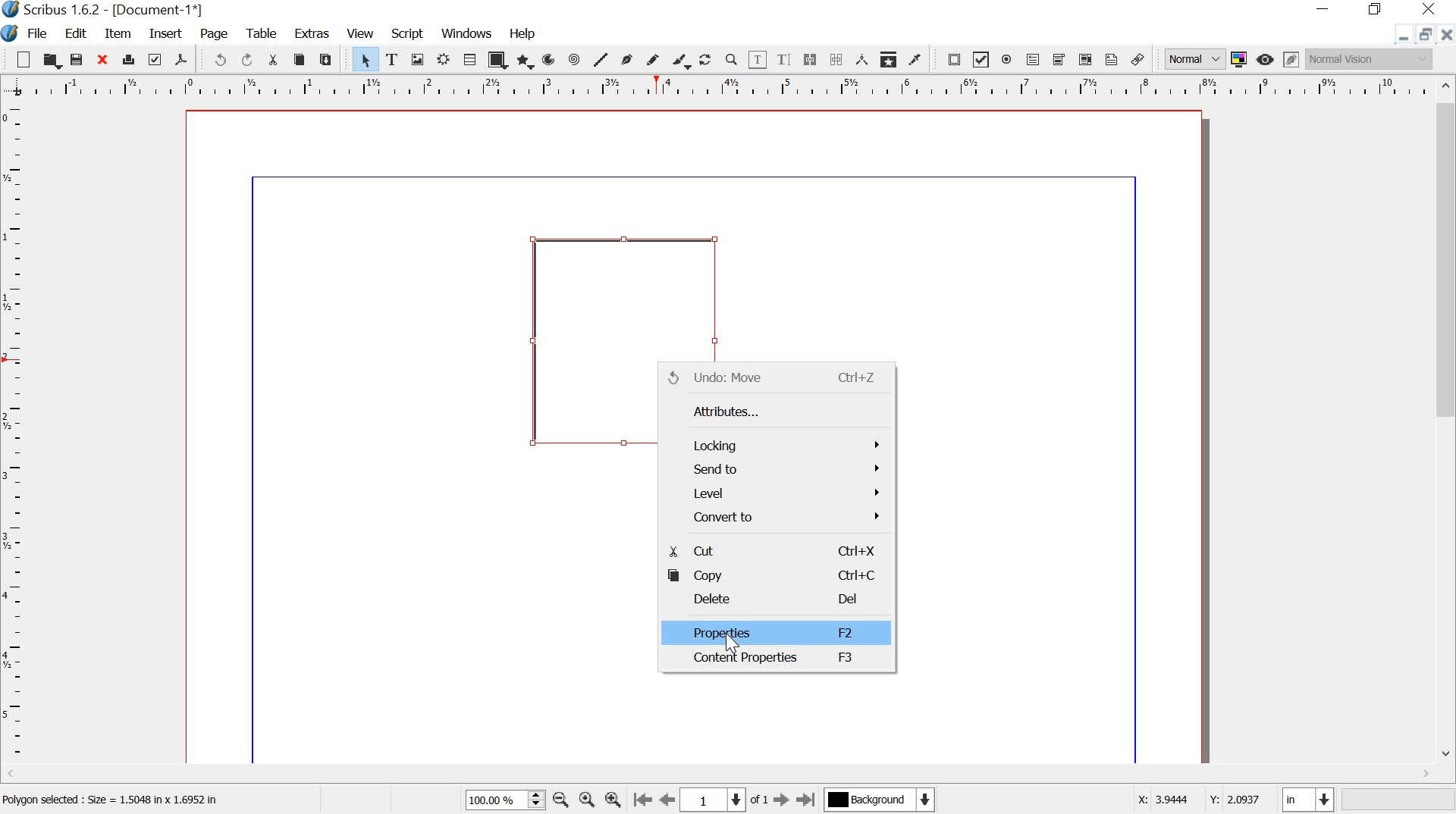 This screenshot has height=814, width=1456. I want to click on close, so click(104, 60).